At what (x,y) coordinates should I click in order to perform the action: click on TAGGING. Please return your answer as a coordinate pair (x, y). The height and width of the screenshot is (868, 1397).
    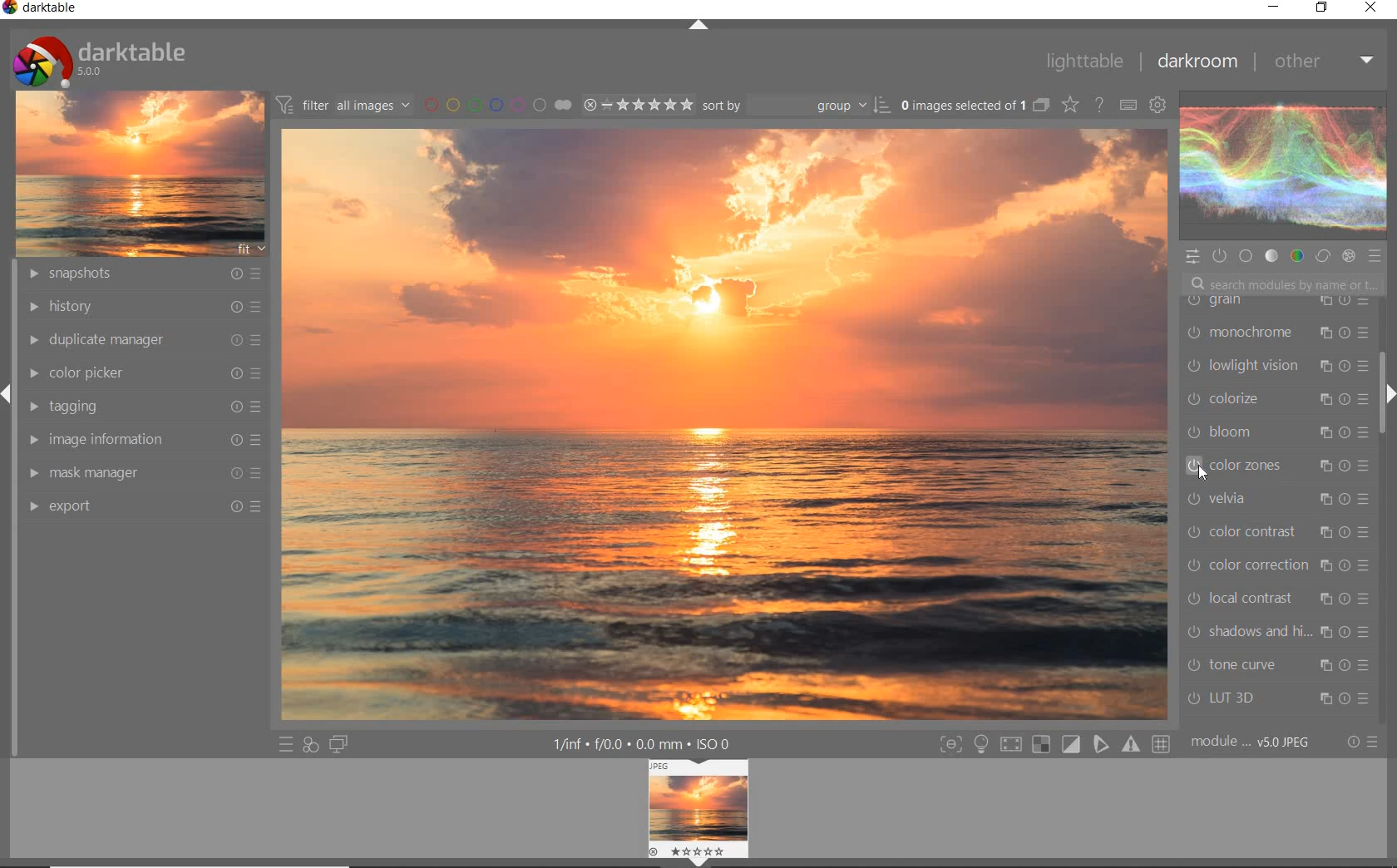
    Looking at the image, I should click on (142, 405).